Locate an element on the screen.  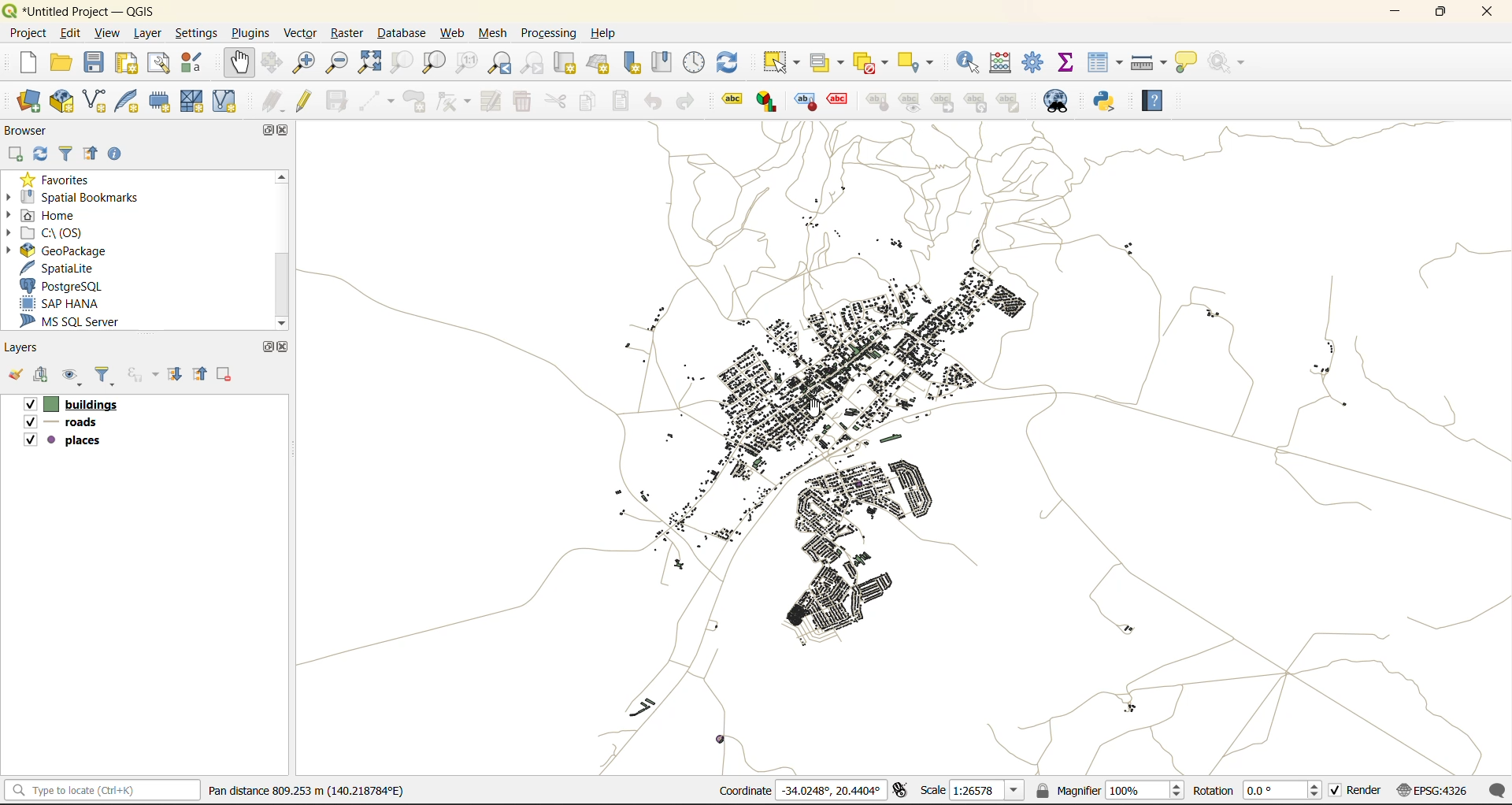
toolbox is located at coordinates (1035, 62).